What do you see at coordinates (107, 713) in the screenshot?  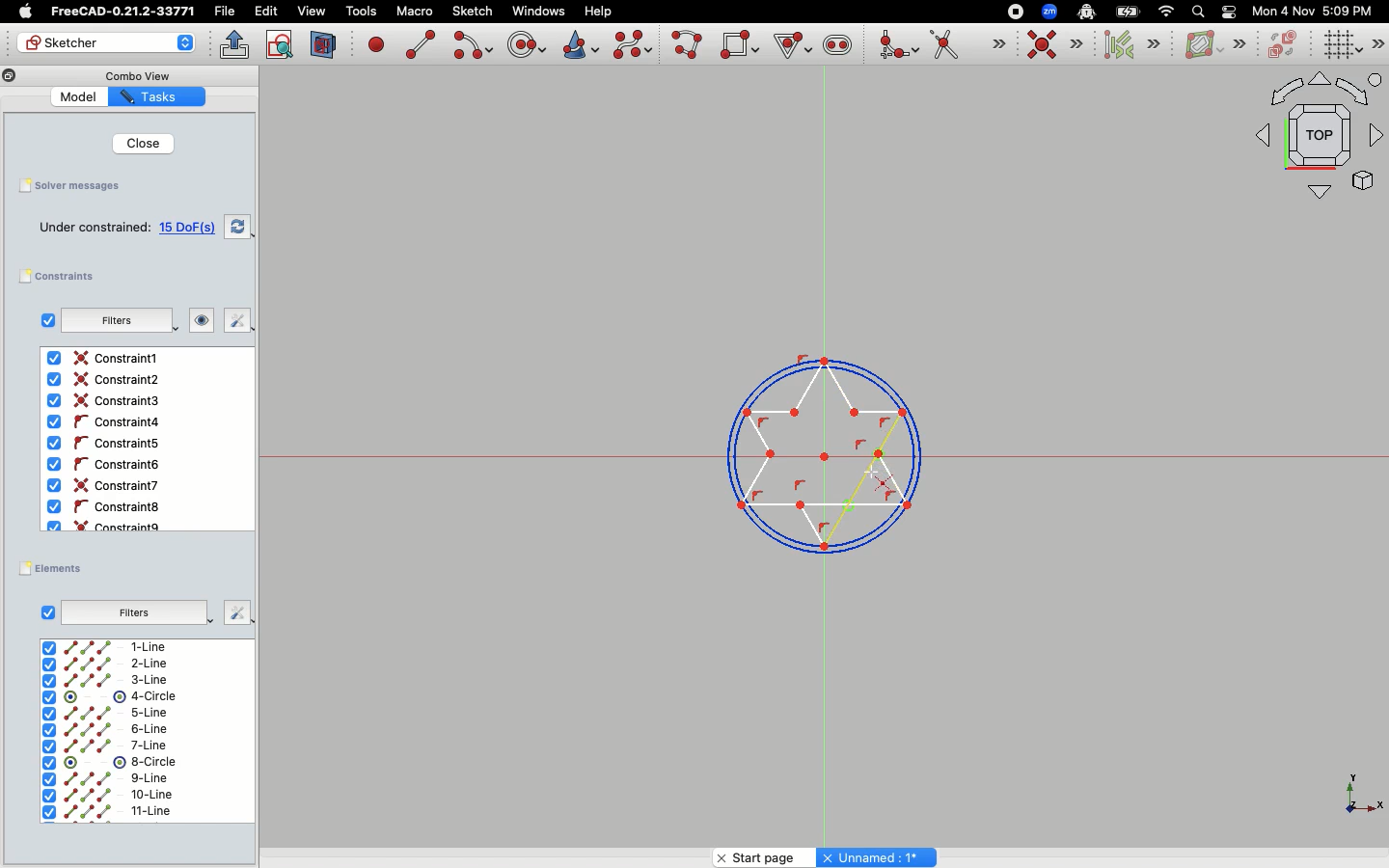 I see `5-line` at bounding box center [107, 713].